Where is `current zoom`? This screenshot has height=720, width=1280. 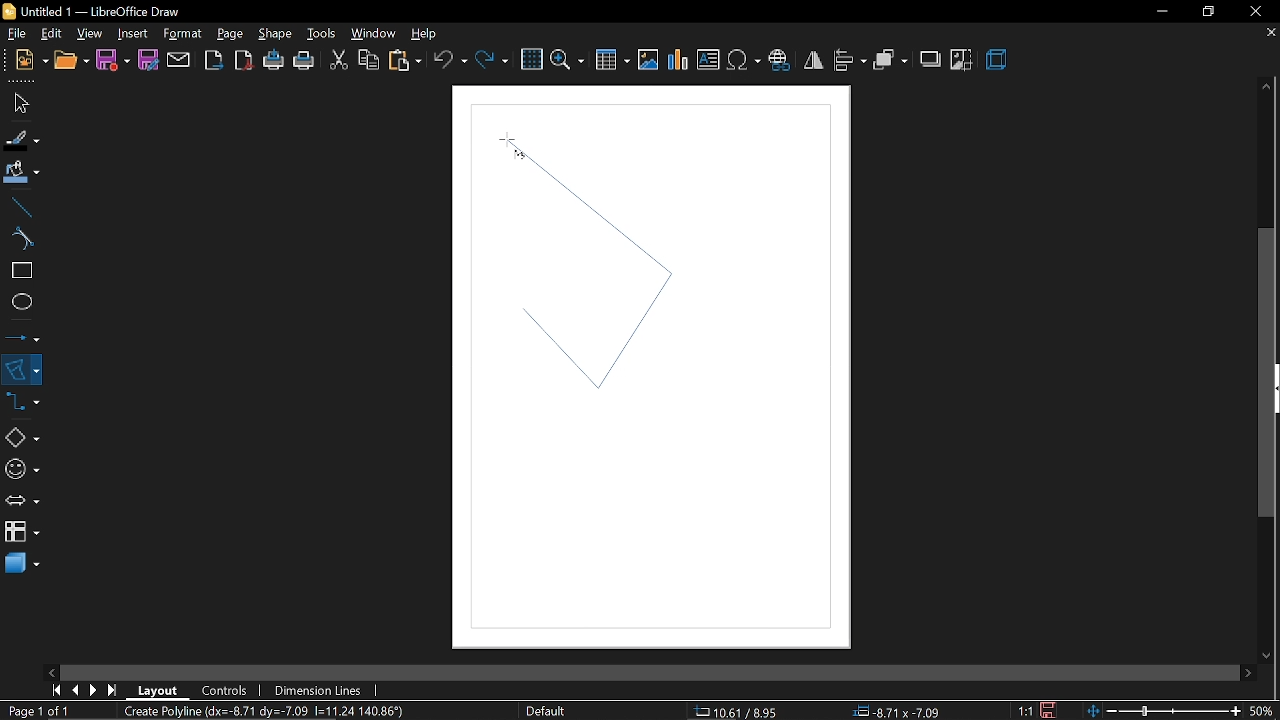 current zoom is located at coordinates (1262, 711).